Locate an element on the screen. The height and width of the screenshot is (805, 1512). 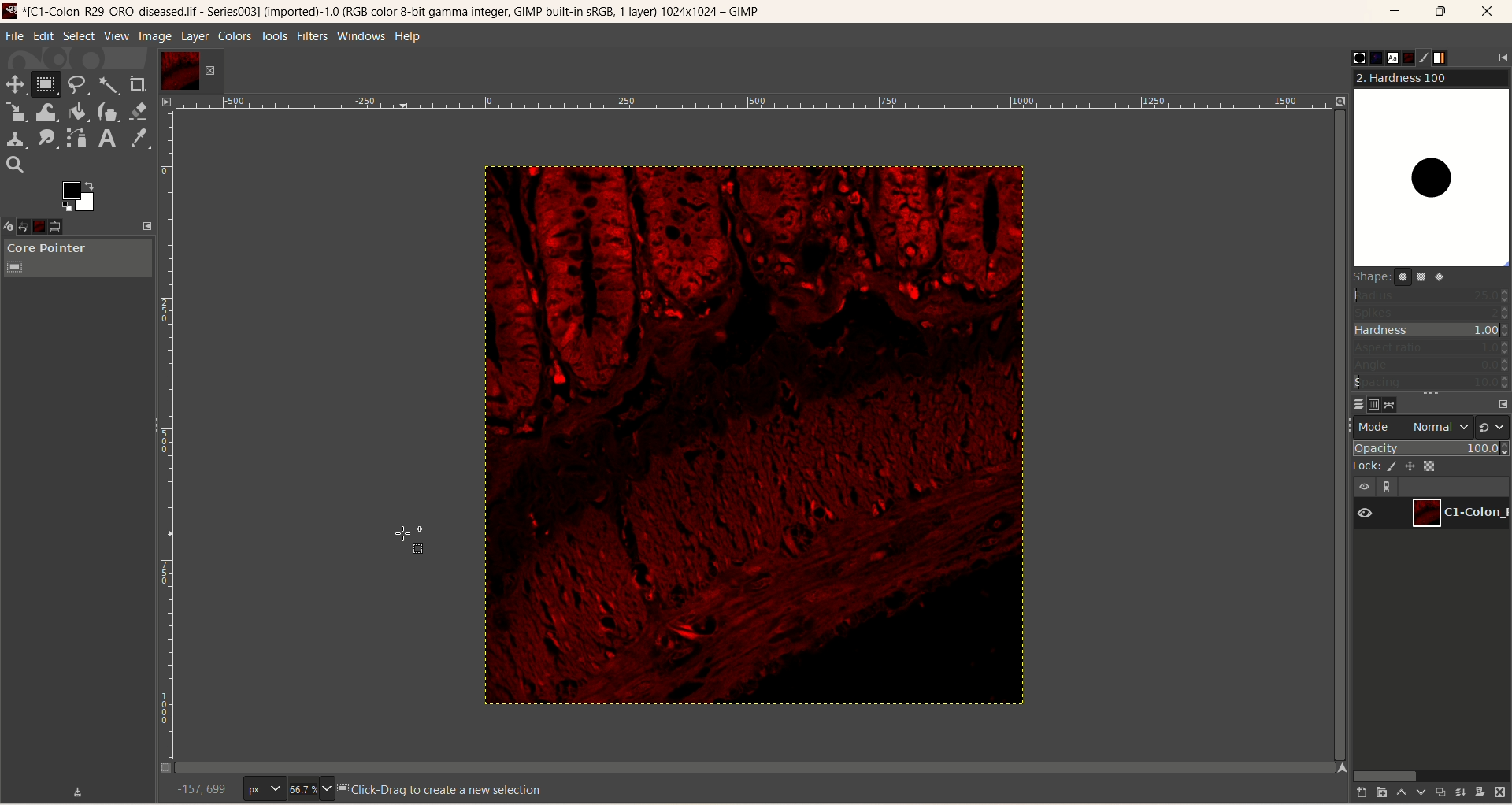
filters is located at coordinates (310, 35).